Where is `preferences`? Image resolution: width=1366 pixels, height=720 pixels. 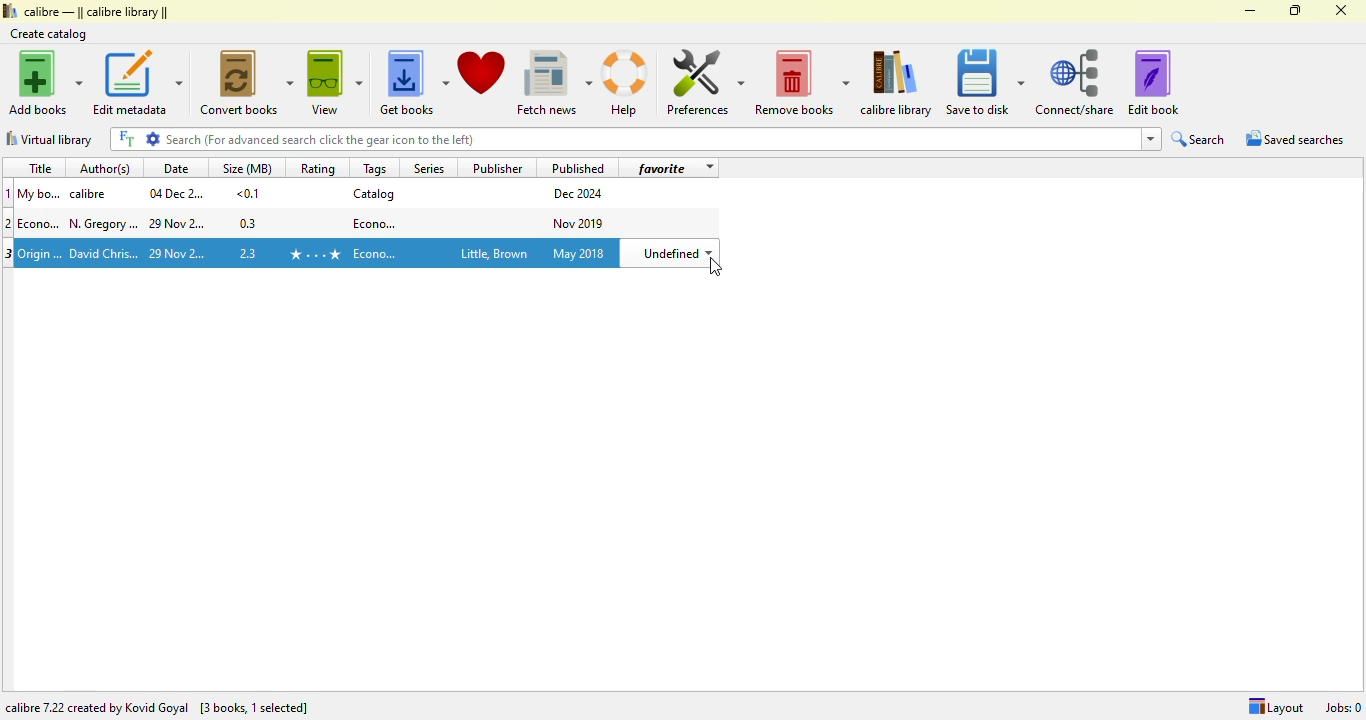 preferences is located at coordinates (704, 82).